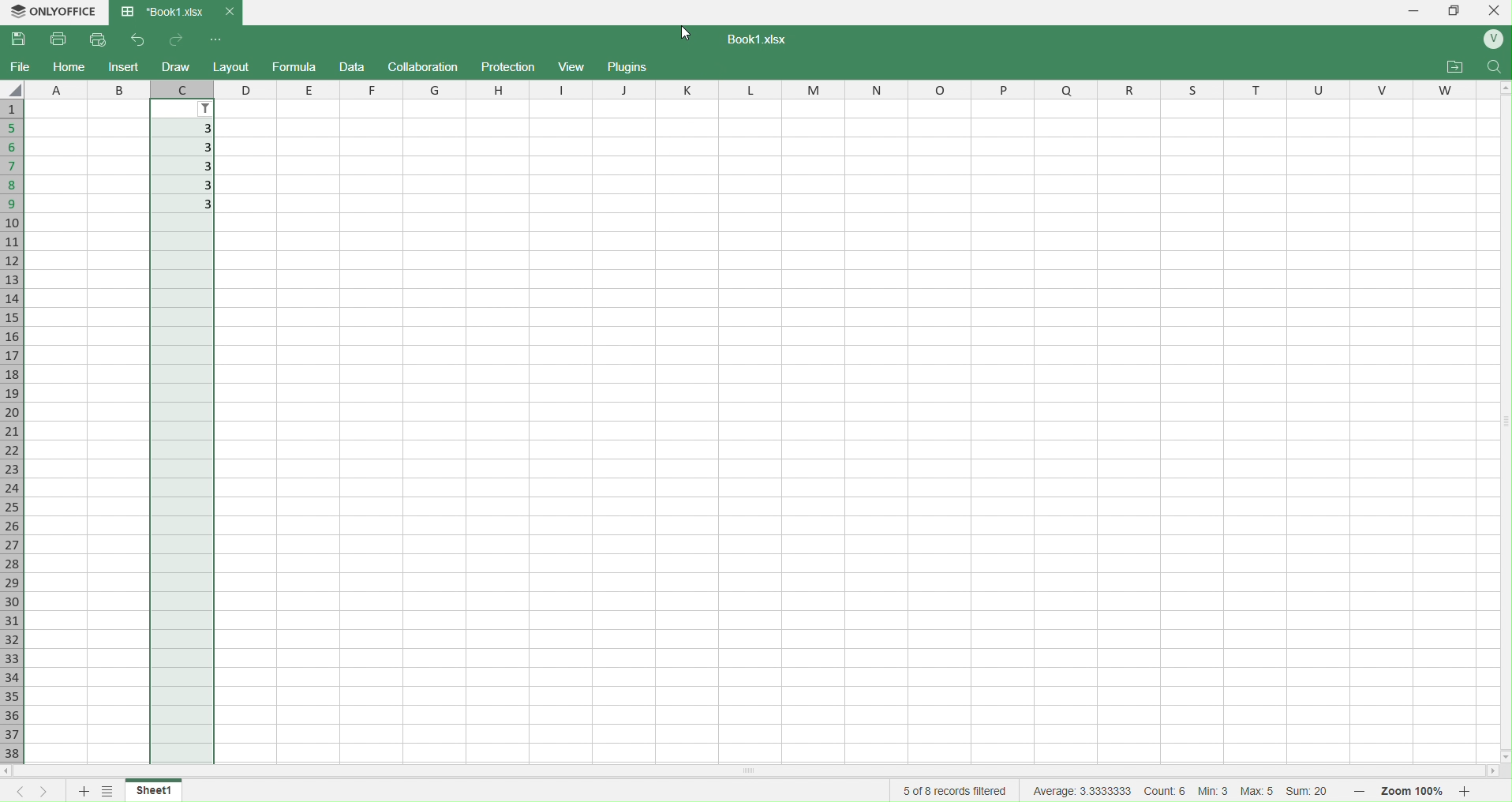  What do you see at coordinates (1496, 10) in the screenshot?
I see `Close` at bounding box center [1496, 10].